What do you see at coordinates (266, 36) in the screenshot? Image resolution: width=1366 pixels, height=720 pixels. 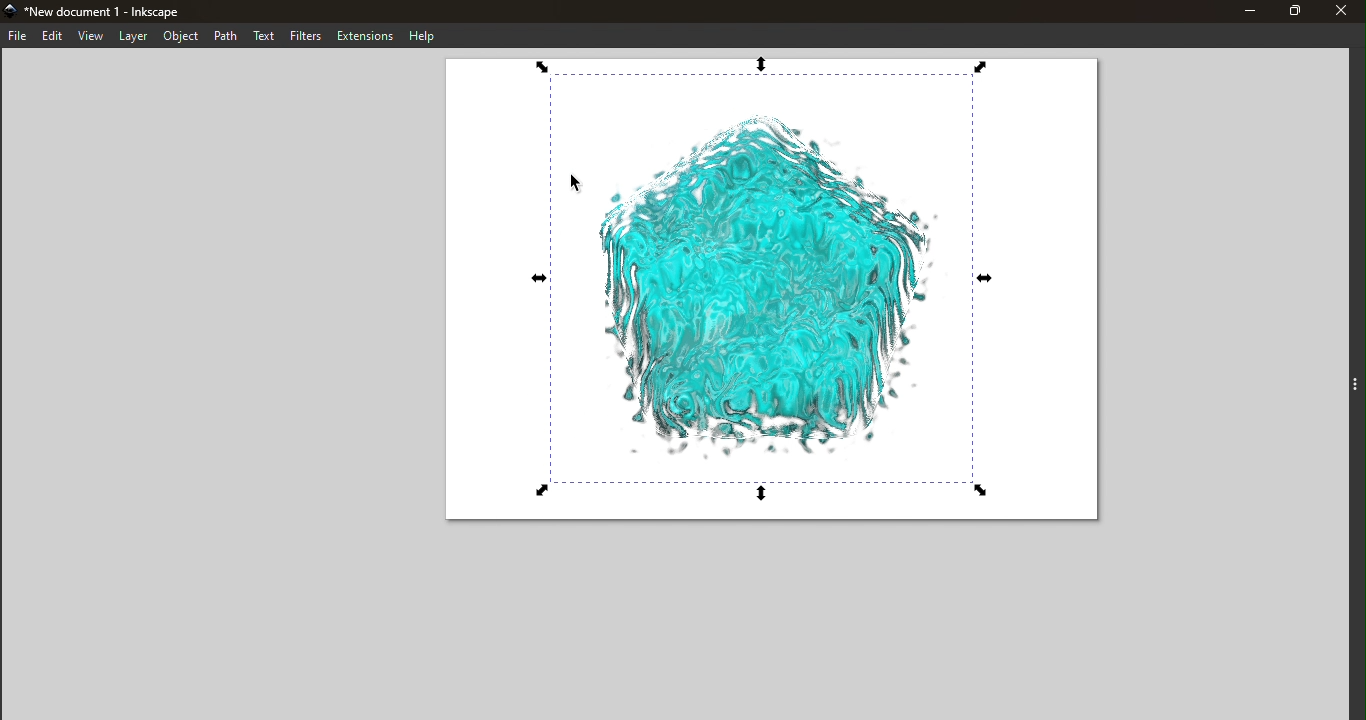 I see `Text` at bounding box center [266, 36].